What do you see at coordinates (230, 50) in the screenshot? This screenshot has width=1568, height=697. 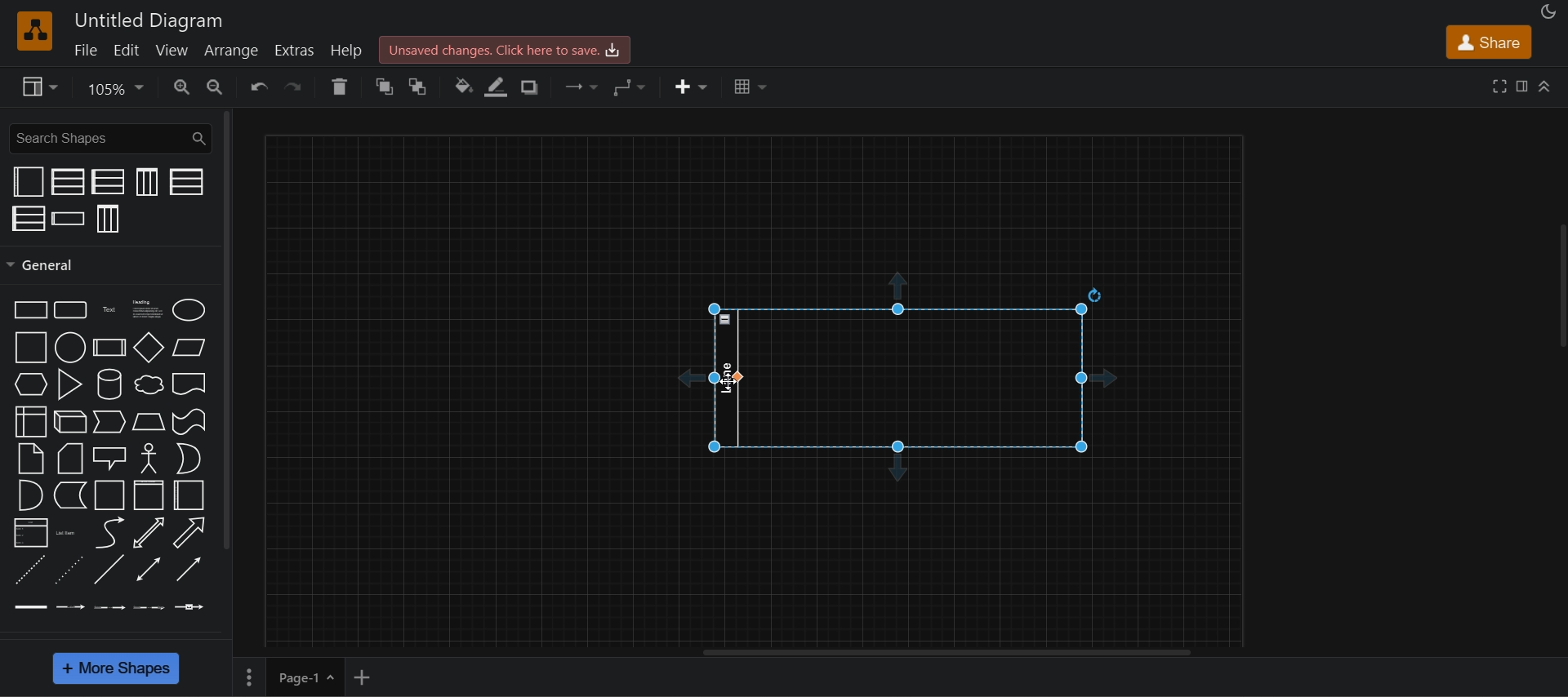 I see `arrange` at bounding box center [230, 50].